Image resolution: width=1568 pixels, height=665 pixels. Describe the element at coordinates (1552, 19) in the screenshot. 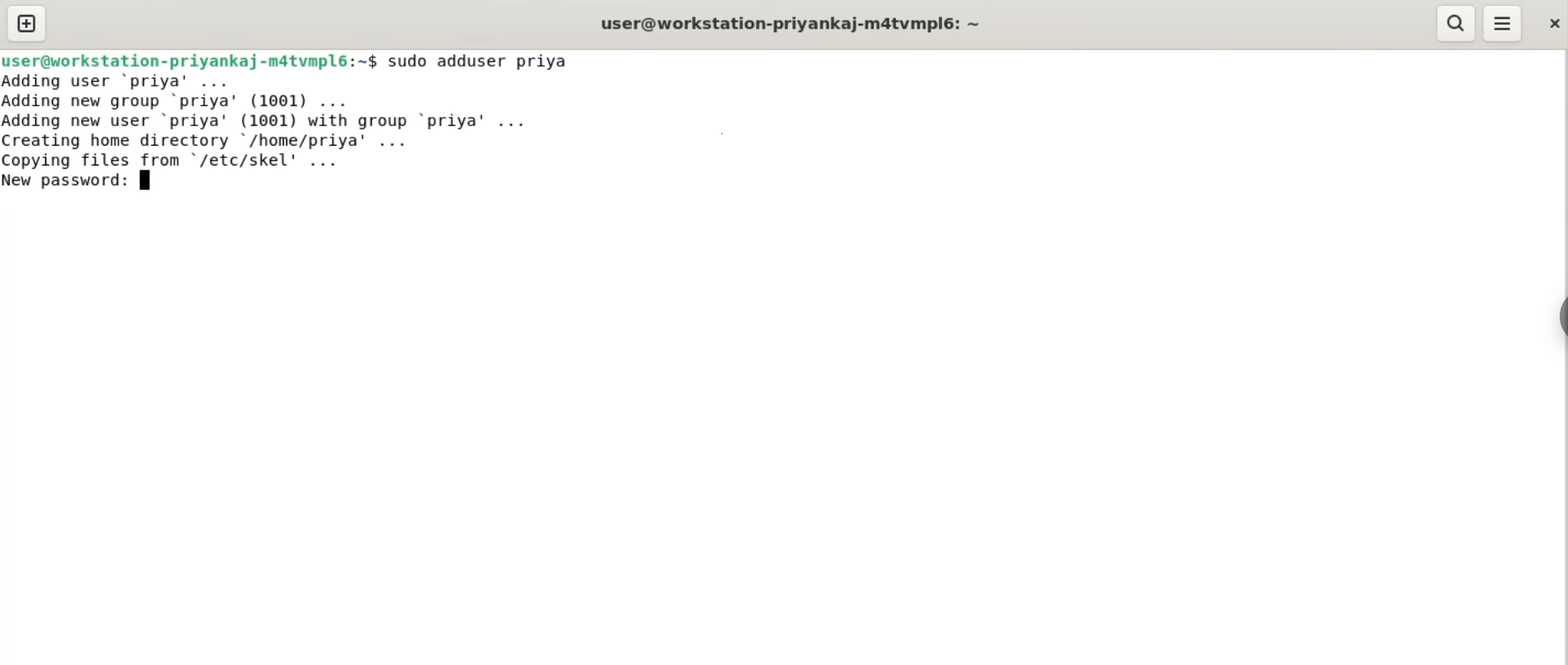

I see `close` at that location.